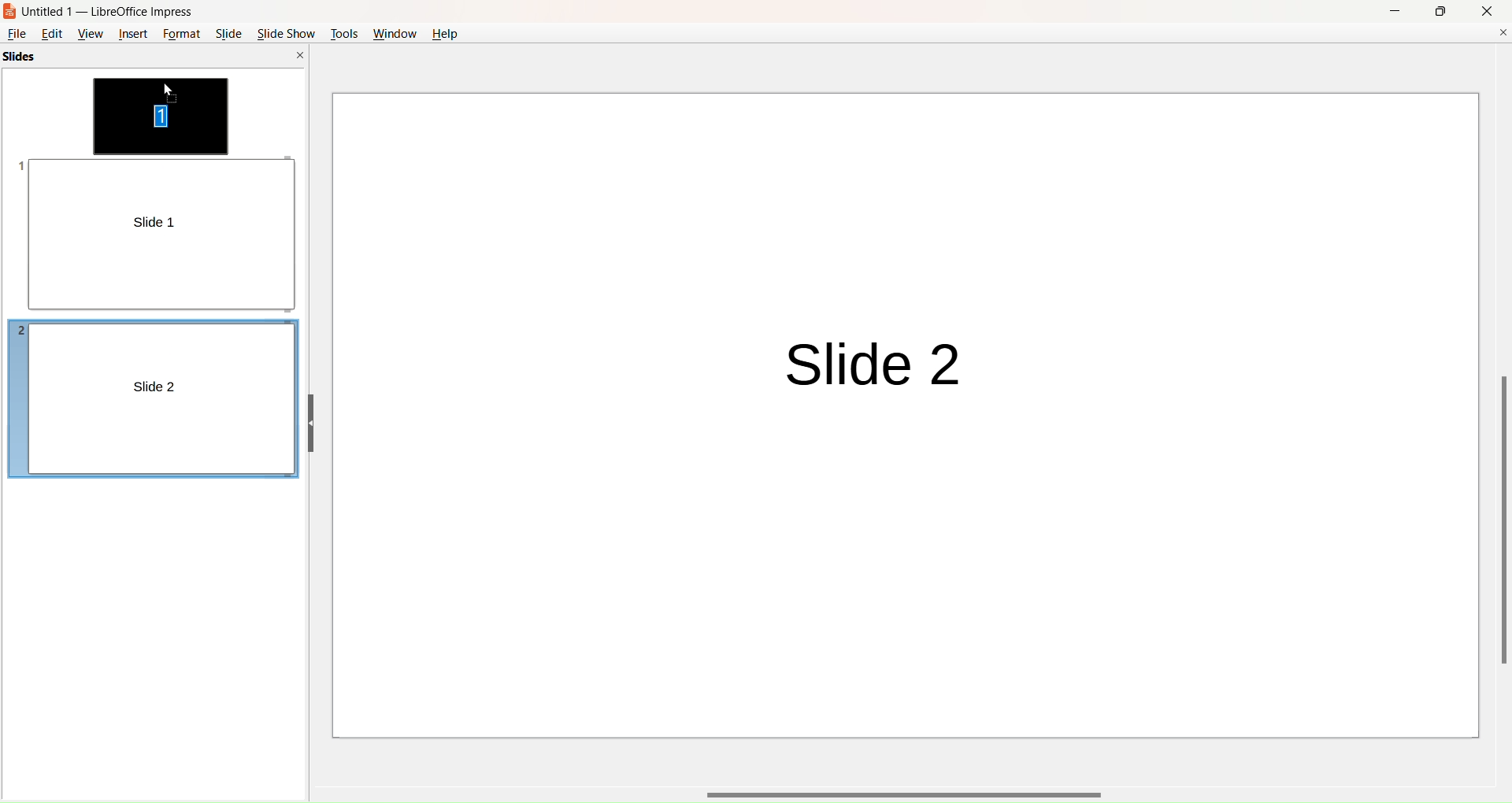  Describe the element at coordinates (301, 56) in the screenshot. I see `close pane` at that location.